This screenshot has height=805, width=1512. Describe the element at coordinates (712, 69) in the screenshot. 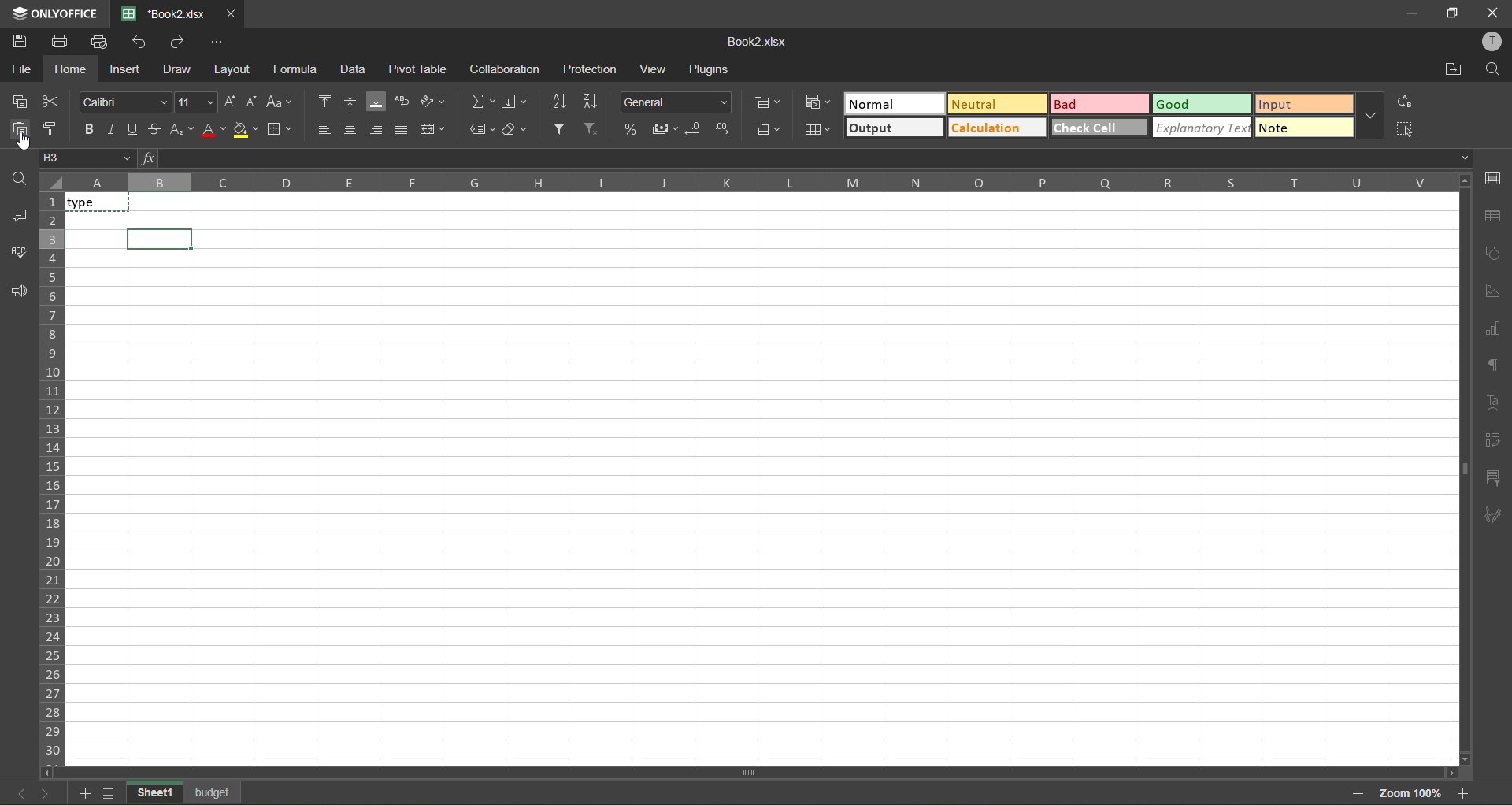

I see `plugins` at that location.